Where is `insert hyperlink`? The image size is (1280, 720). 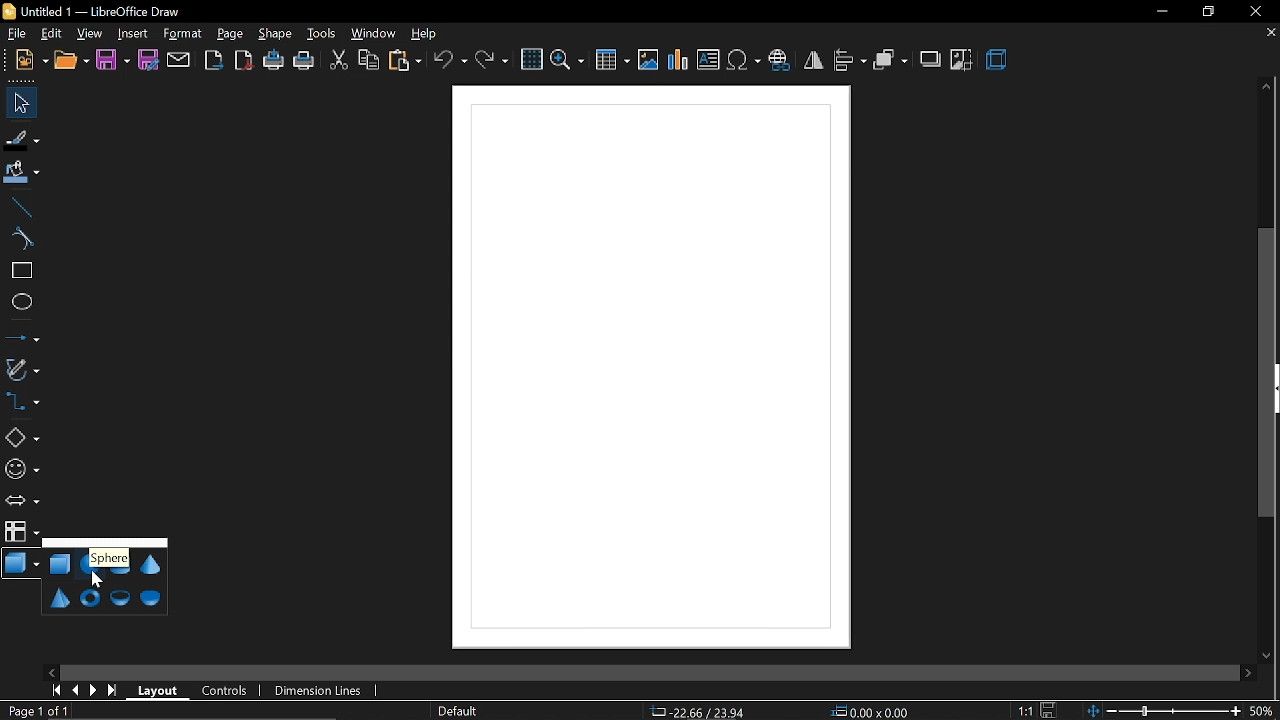 insert hyperlink is located at coordinates (782, 60).